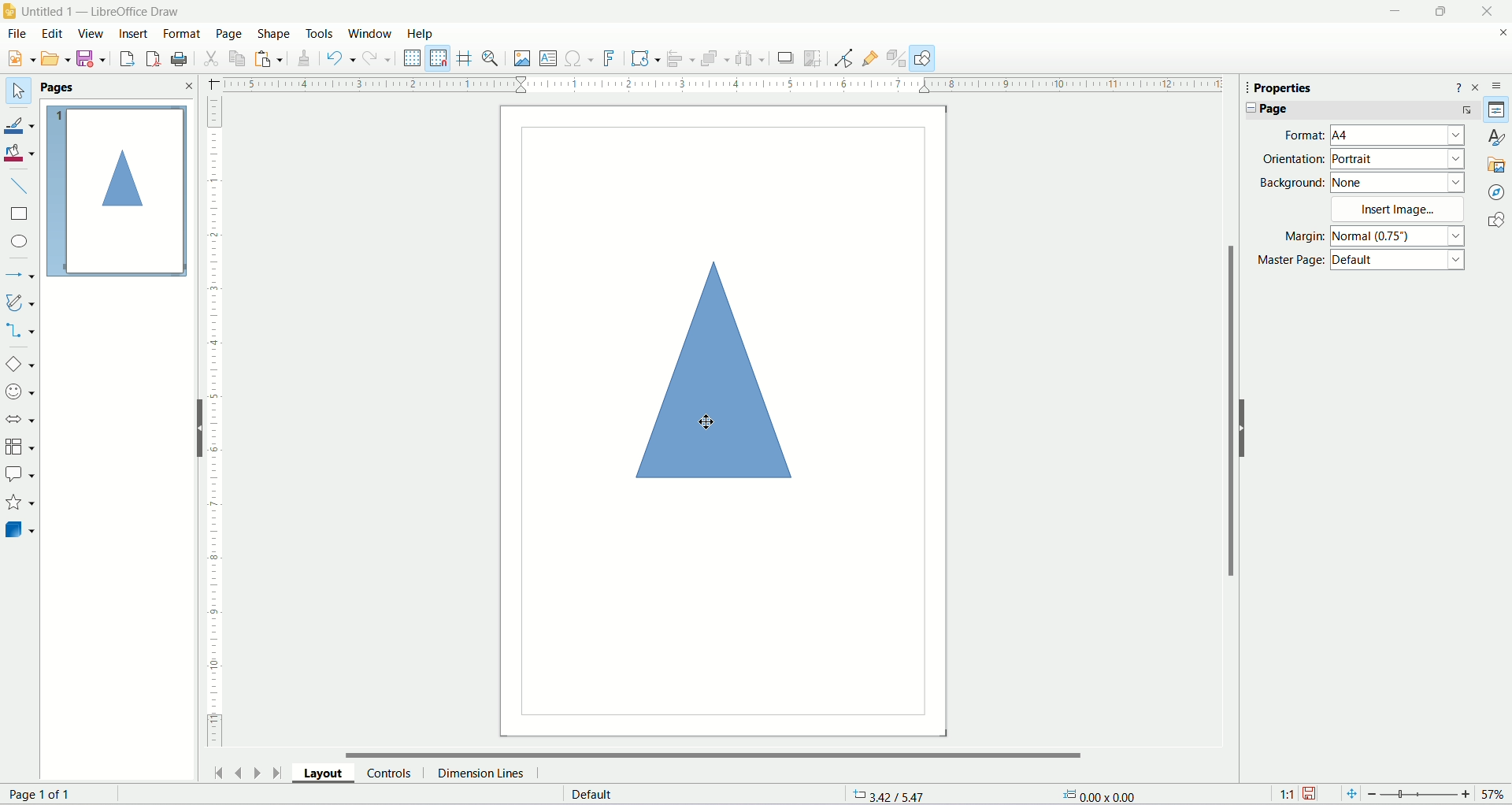 The image size is (1512, 805). Describe the element at coordinates (230, 33) in the screenshot. I see `Page` at that location.